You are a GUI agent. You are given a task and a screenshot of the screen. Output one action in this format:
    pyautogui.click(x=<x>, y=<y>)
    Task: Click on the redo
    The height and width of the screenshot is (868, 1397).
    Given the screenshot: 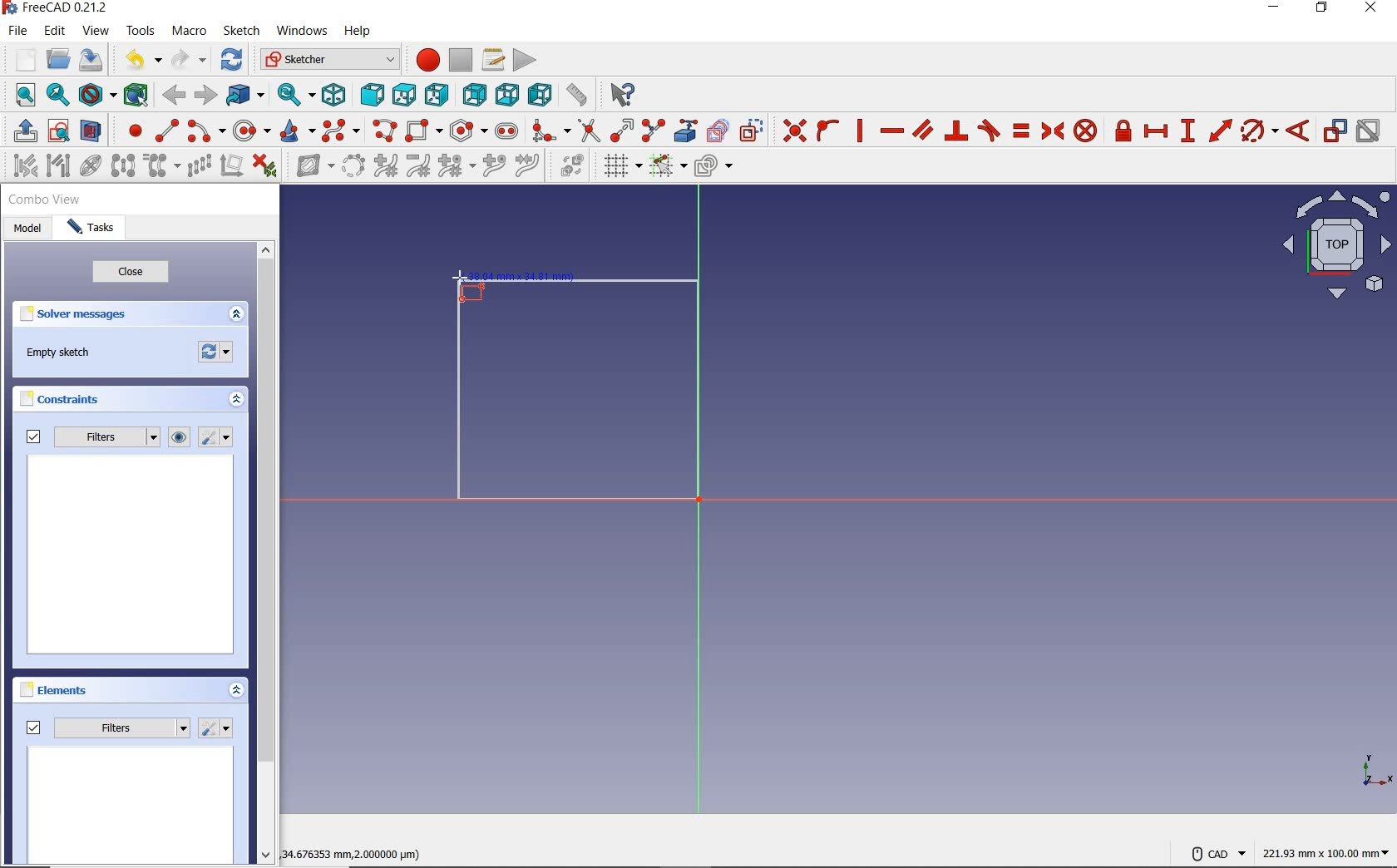 What is the action you would take?
    pyautogui.click(x=189, y=60)
    